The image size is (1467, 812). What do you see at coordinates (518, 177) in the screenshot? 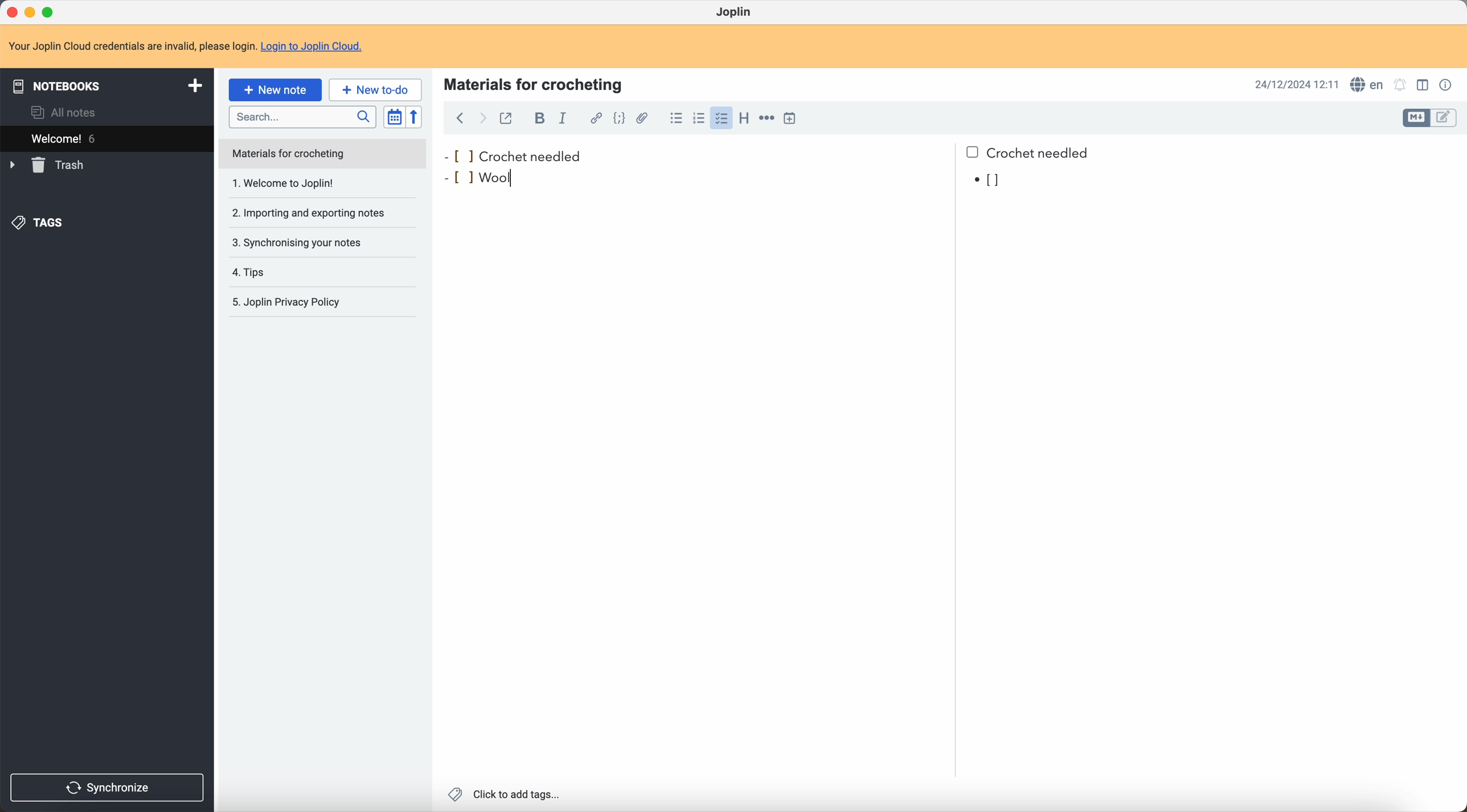
I see `Cursor` at bounding box center [518, 177].